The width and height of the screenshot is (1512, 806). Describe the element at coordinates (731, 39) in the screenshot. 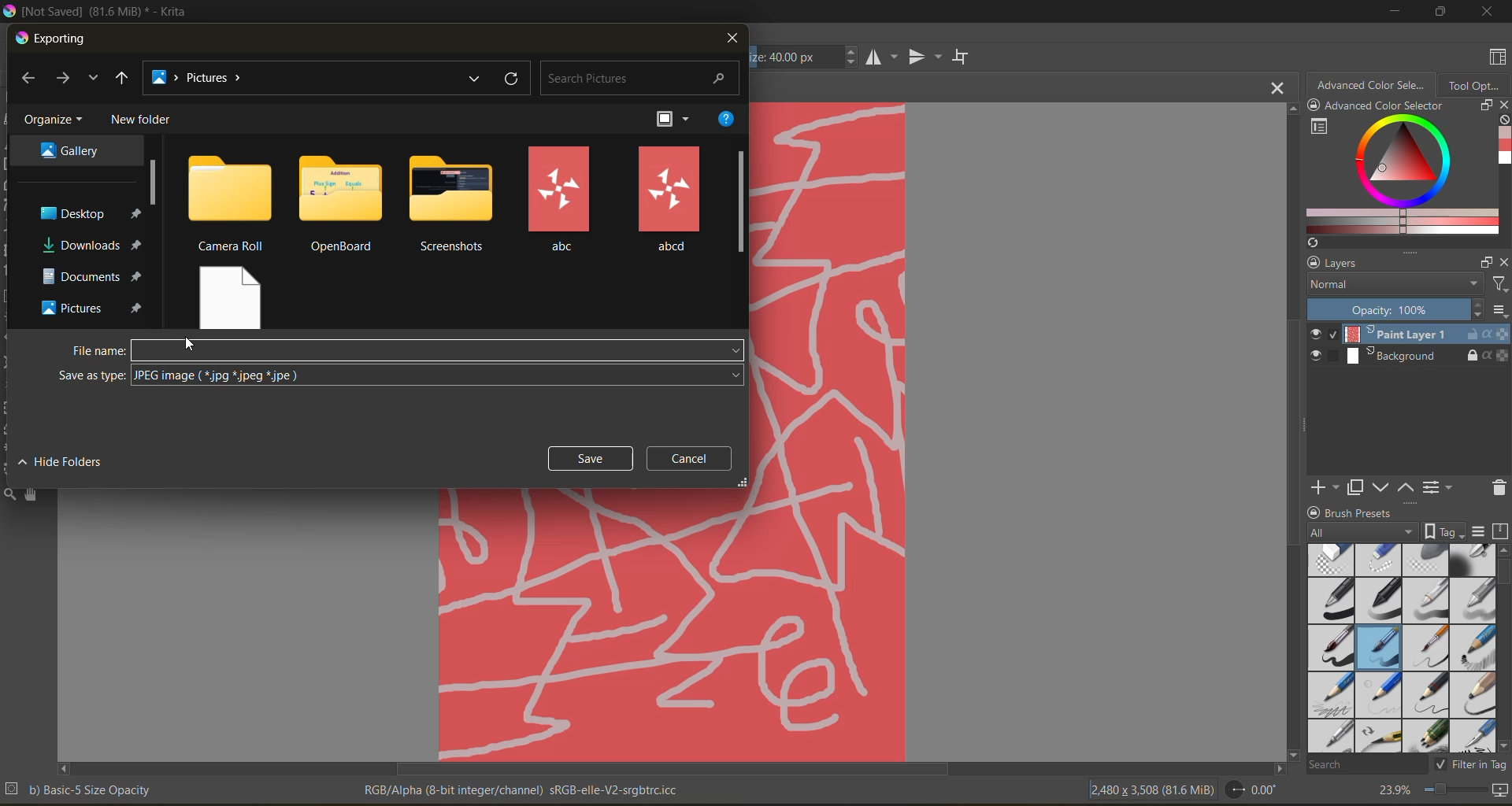

I see `close` at that location.